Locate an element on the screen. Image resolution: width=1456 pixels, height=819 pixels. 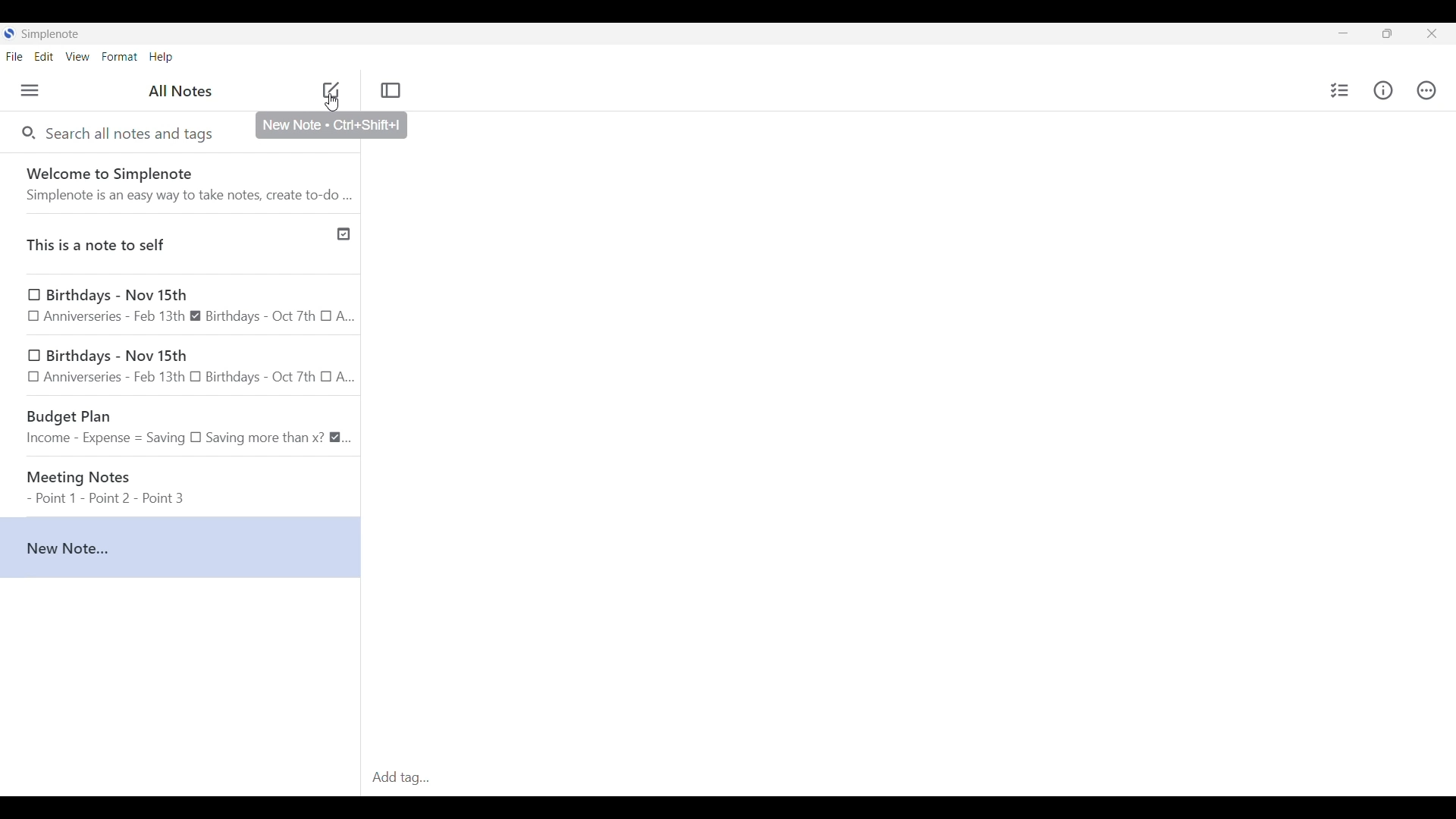
Format menu is located at coordinates (120, 57).